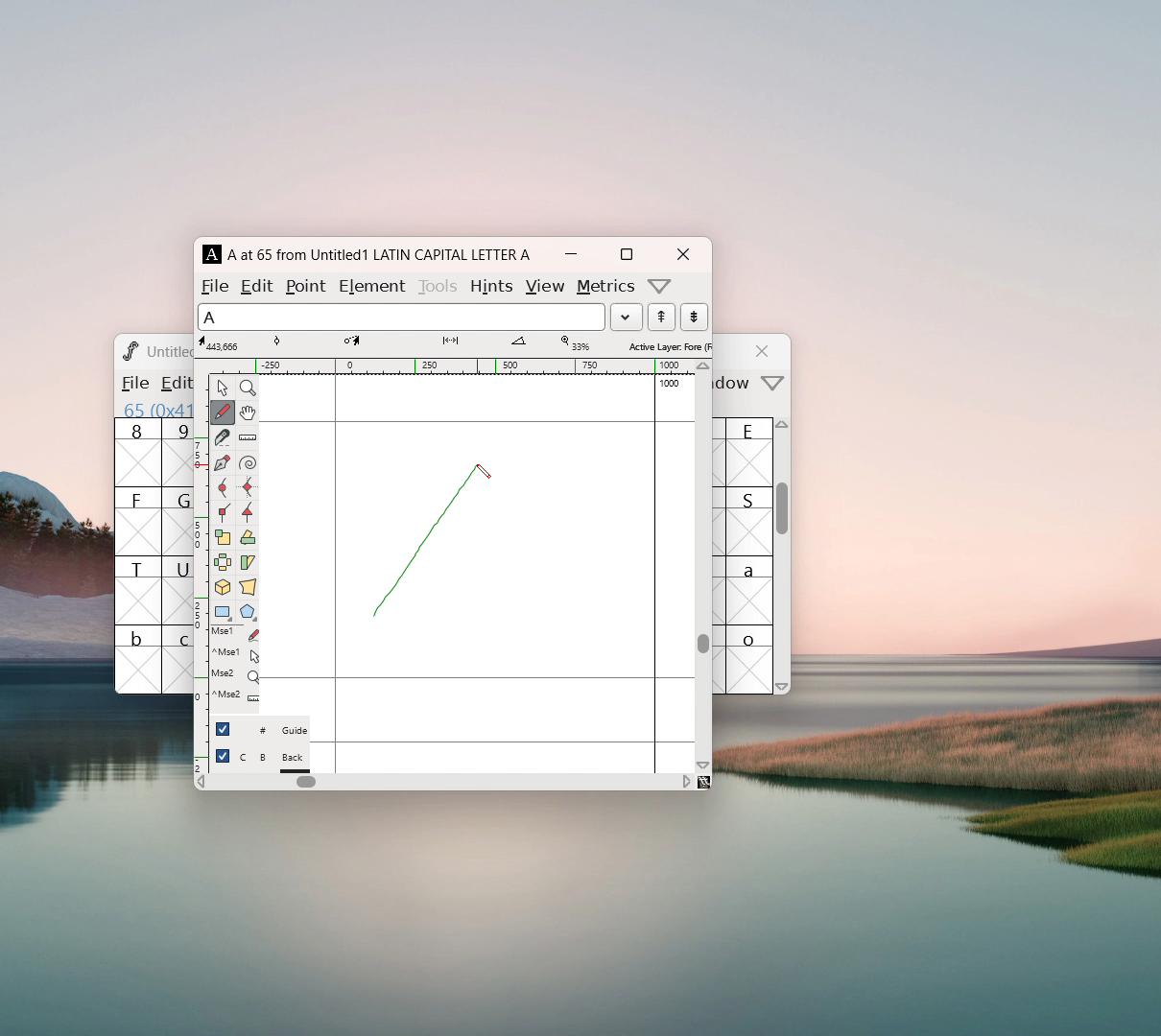 The height and width of the screenshot is (1036, 1161). I want to click on file, so click(133, 383).